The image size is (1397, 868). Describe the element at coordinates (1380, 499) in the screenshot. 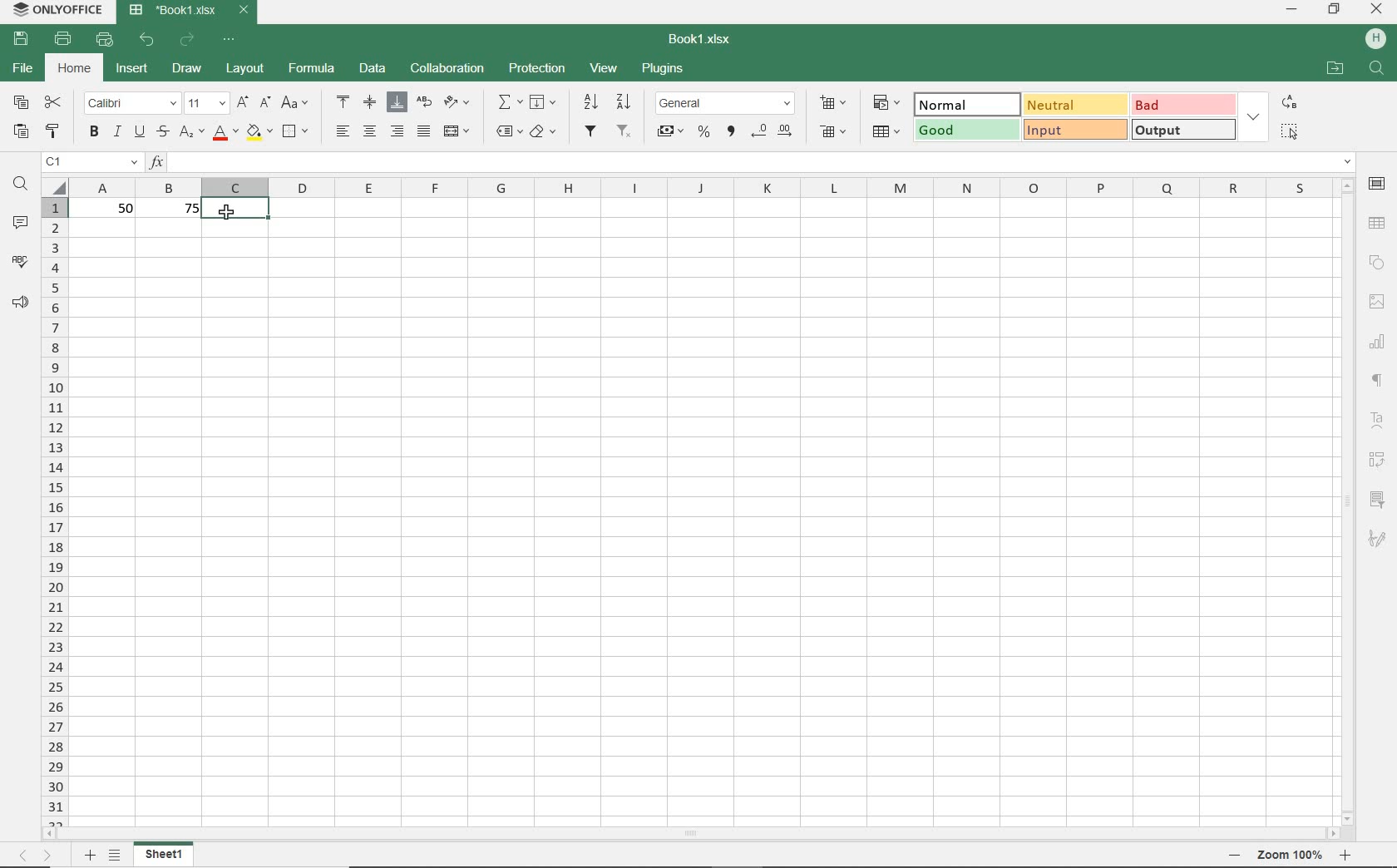

I see `slicer` at that location.